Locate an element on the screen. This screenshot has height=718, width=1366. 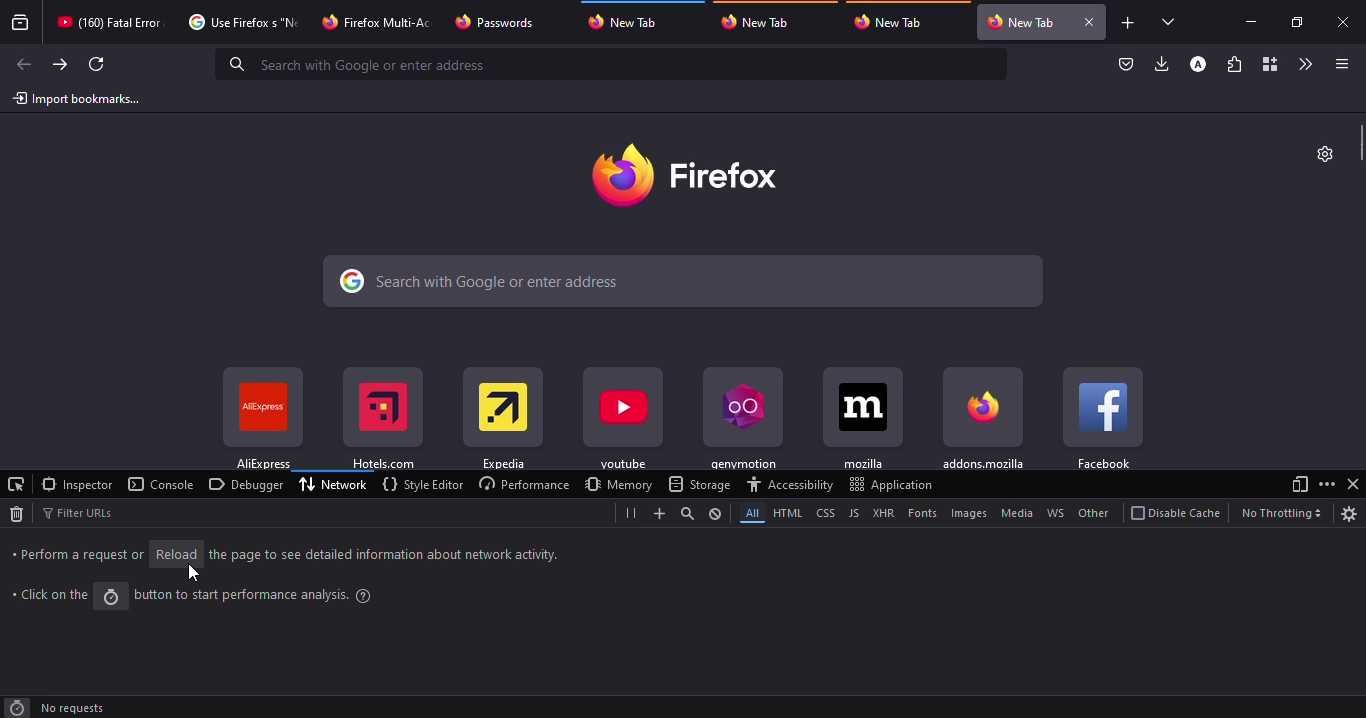
open menu is located at coordinates (1339, 63).